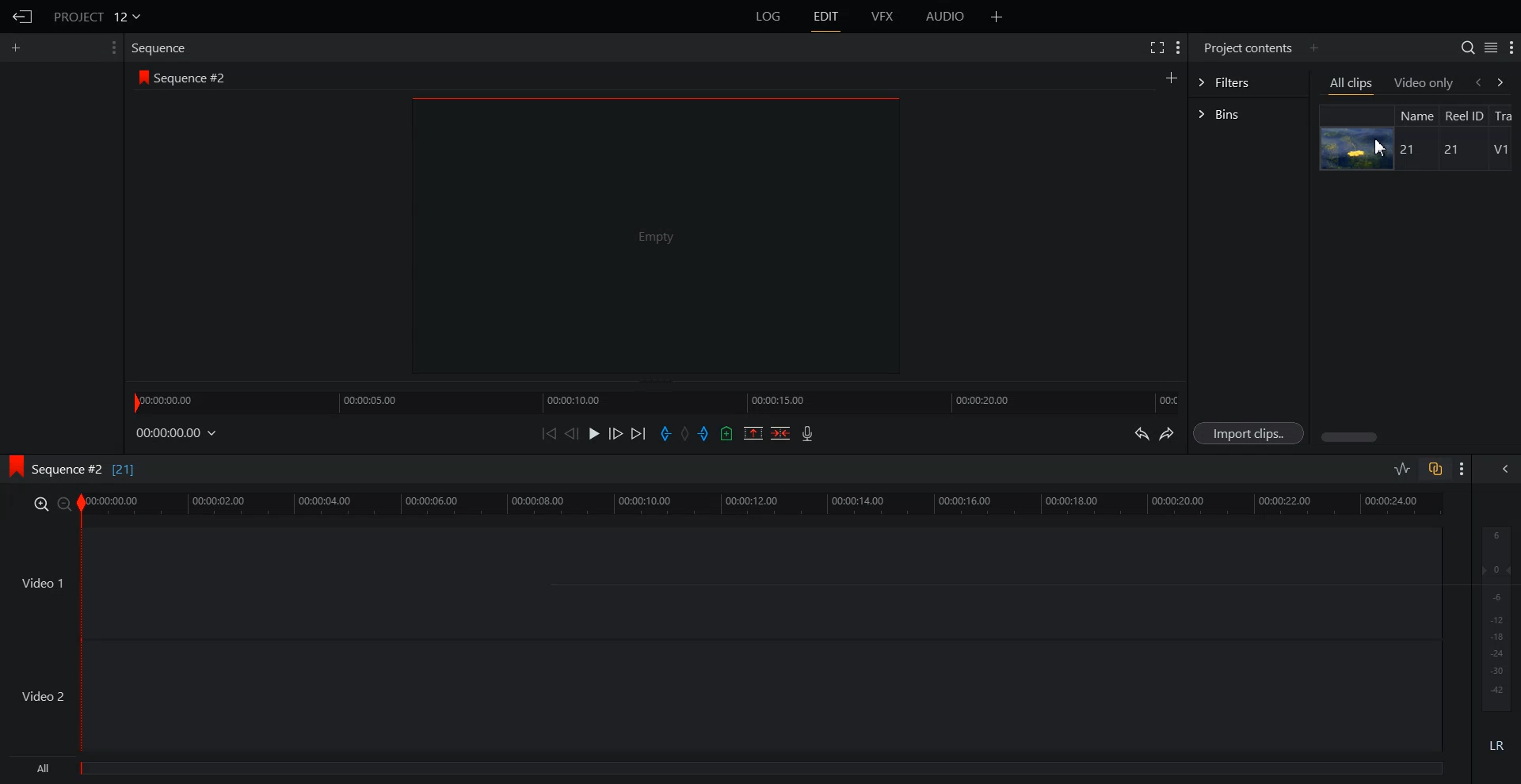 The height and width of the screenshot is (784, 1521). Describe the element at coordinates (665, 433) in the screenshot. I see `Add an in mark at the current position` at that location.